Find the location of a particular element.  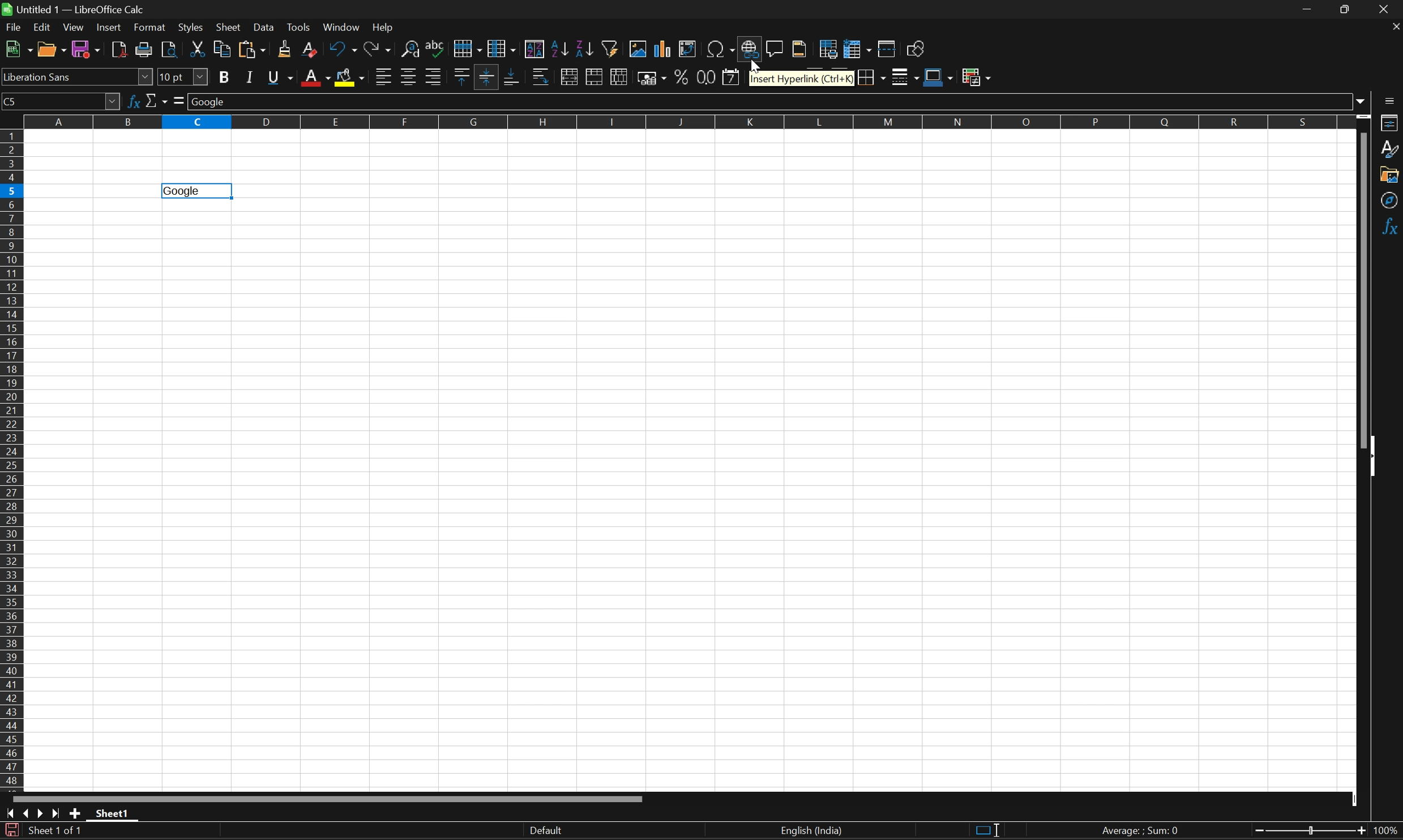

Scroll to next sheet is located at coordinates (39, 814).